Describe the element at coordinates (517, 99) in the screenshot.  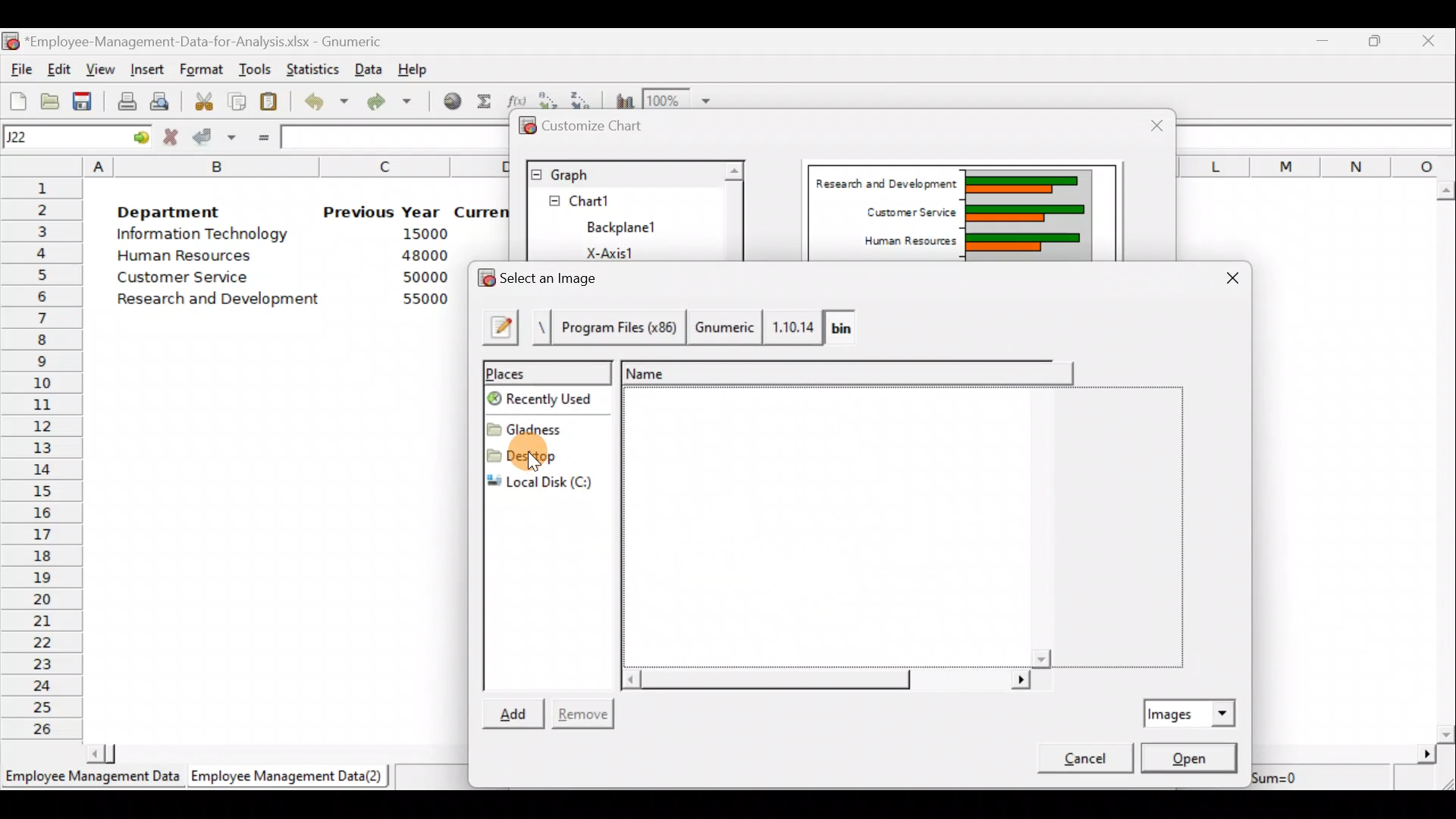
I see `Edit a function in the current cell` at that location.